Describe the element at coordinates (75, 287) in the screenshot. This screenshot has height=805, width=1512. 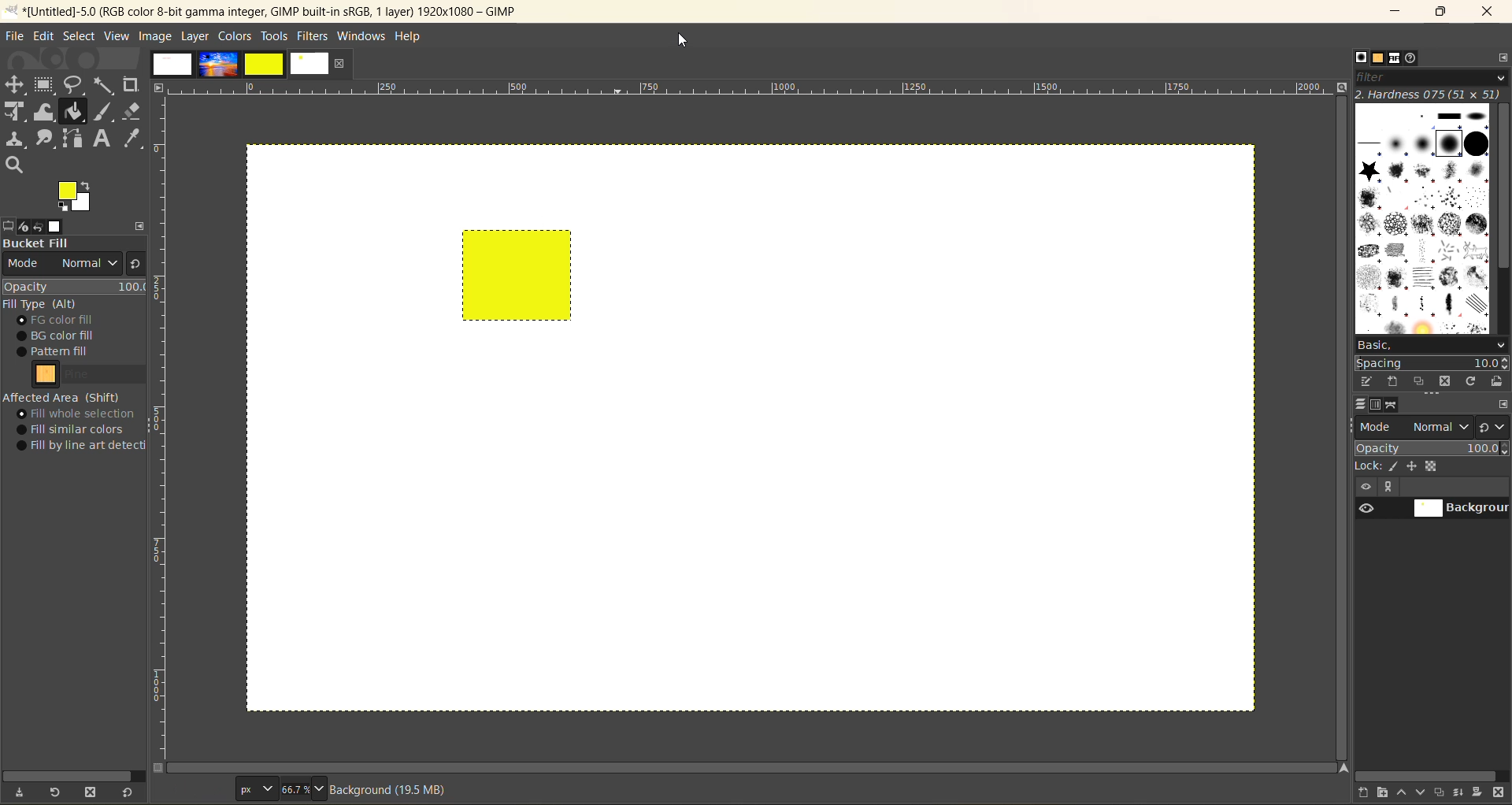
I see `opacity` at that location.